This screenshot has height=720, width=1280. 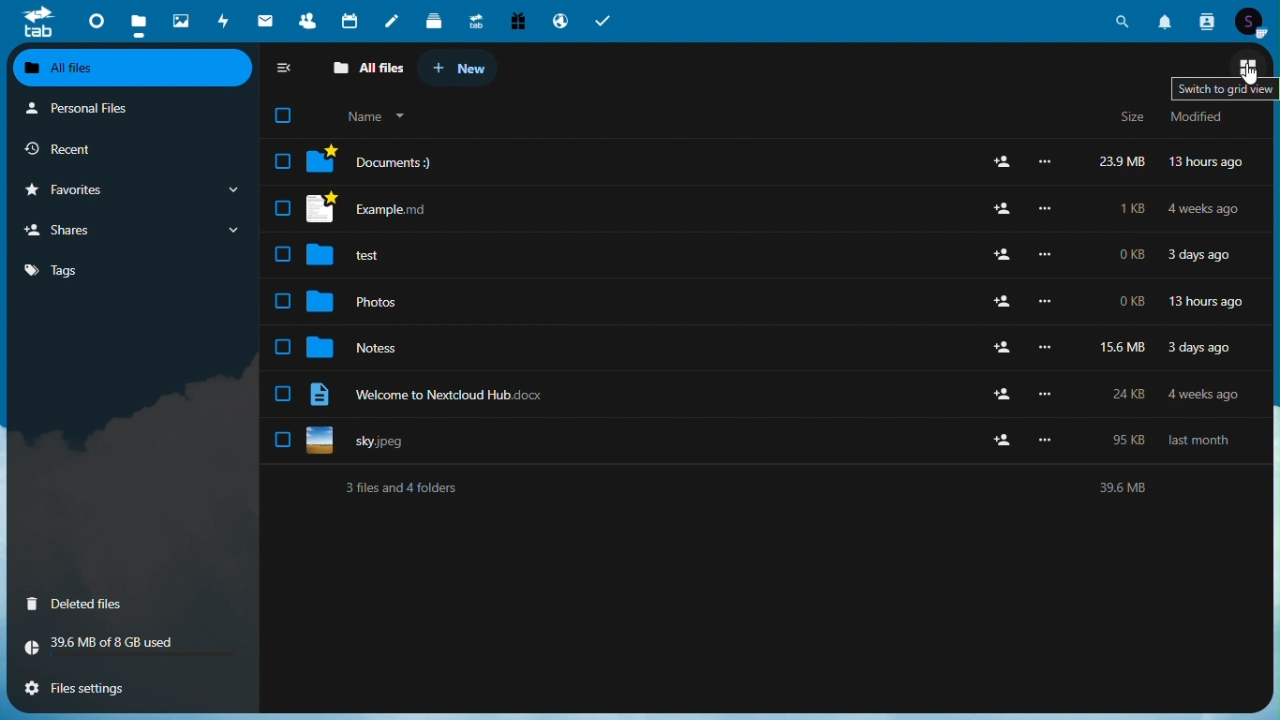 I want to click on 13 hours ago, so click(x=1204, y=302).